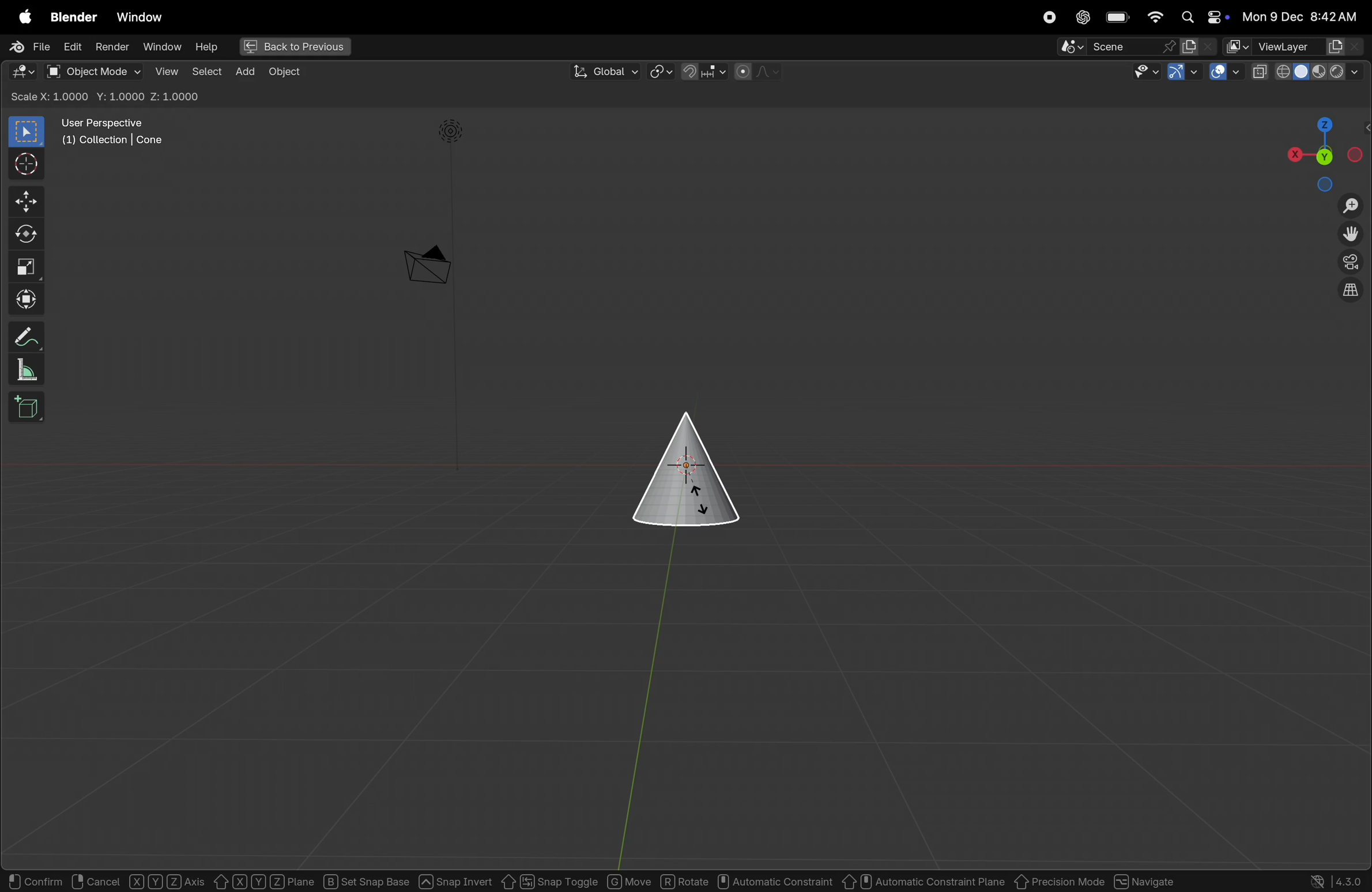 The width and height of the screenshot is (1372, 892). I want to click on global, so click(605, 71).